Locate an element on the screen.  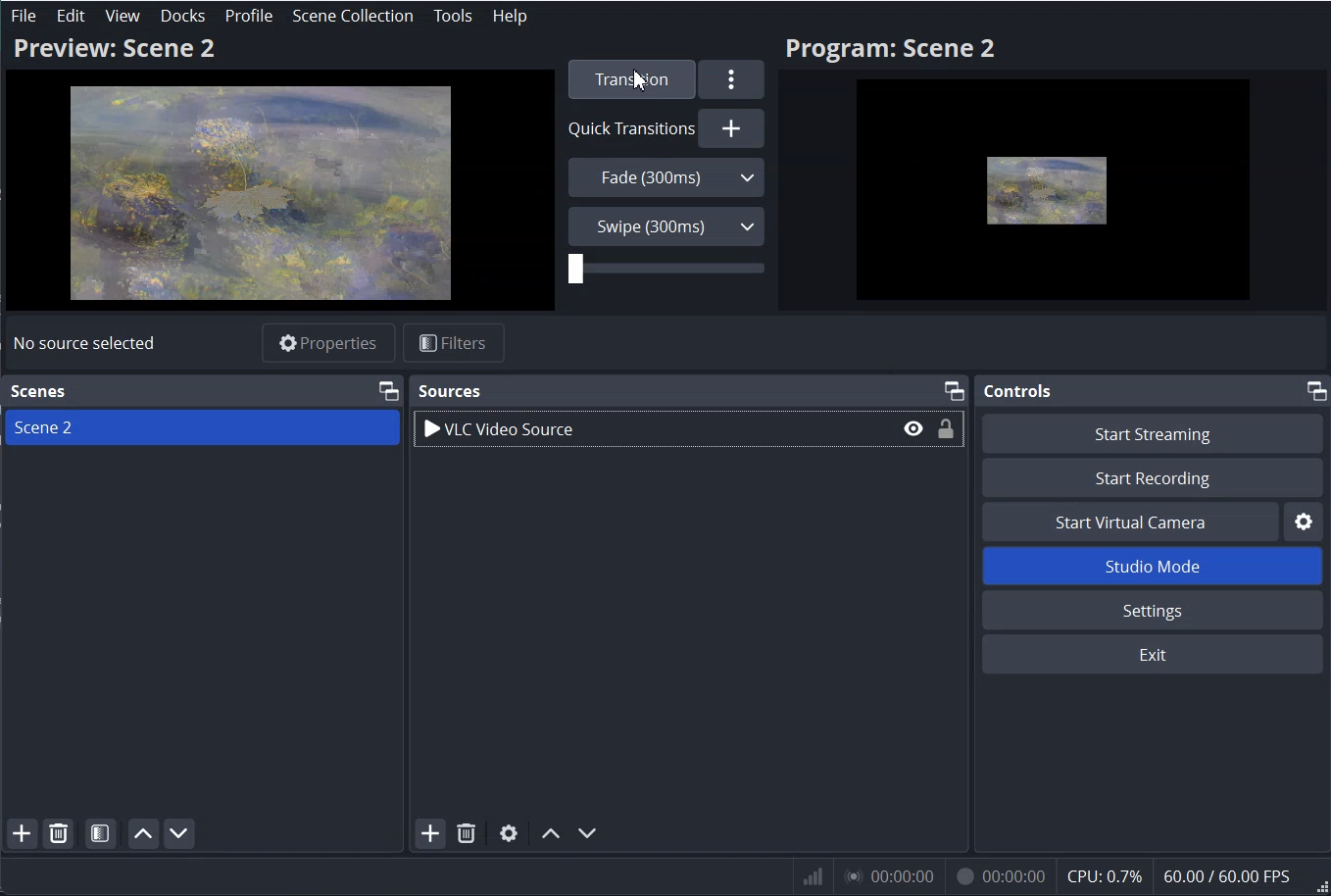
Start Recording is located at coordinates (1154, 476).